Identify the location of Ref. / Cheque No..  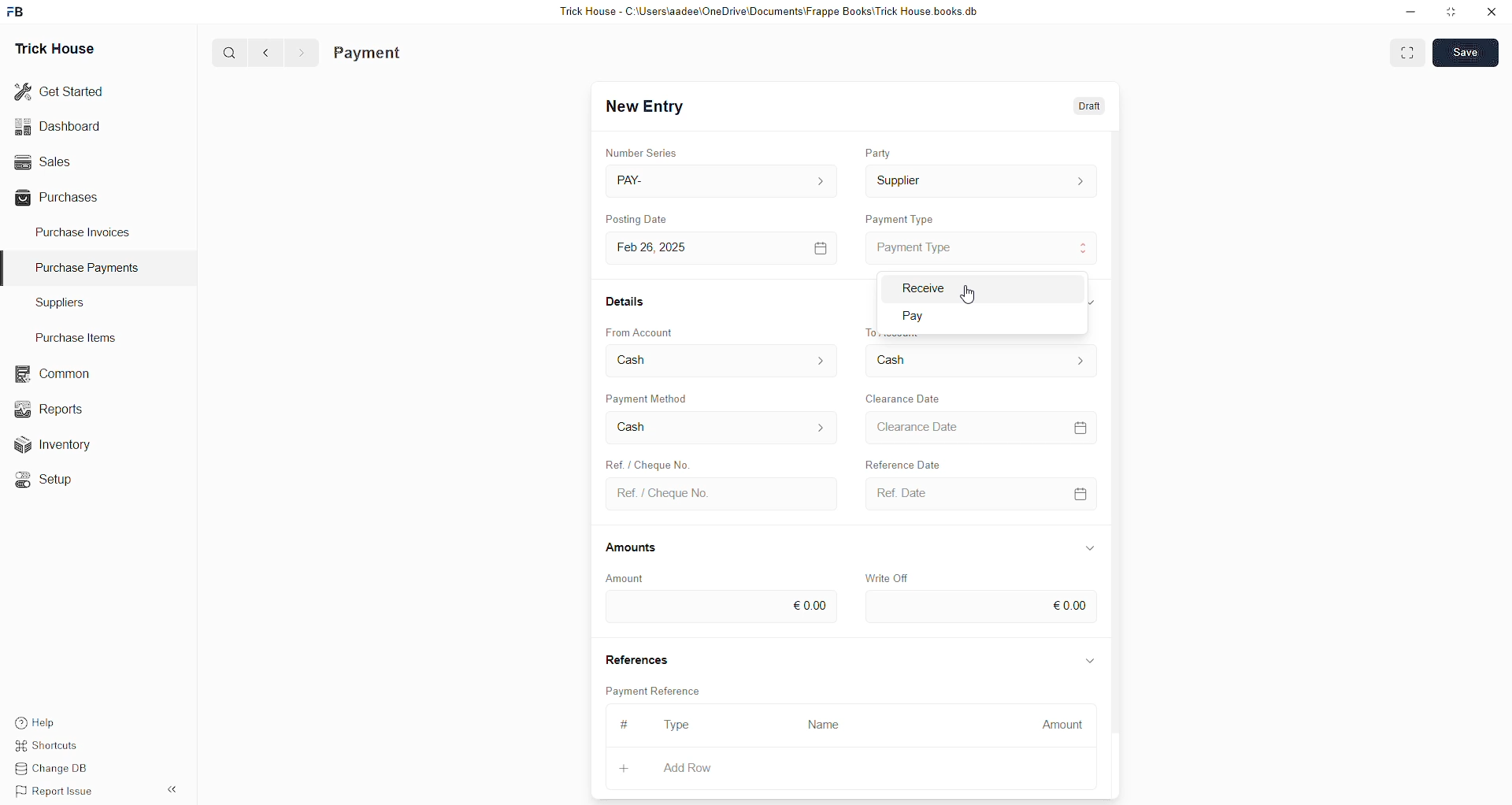
(719, 492).